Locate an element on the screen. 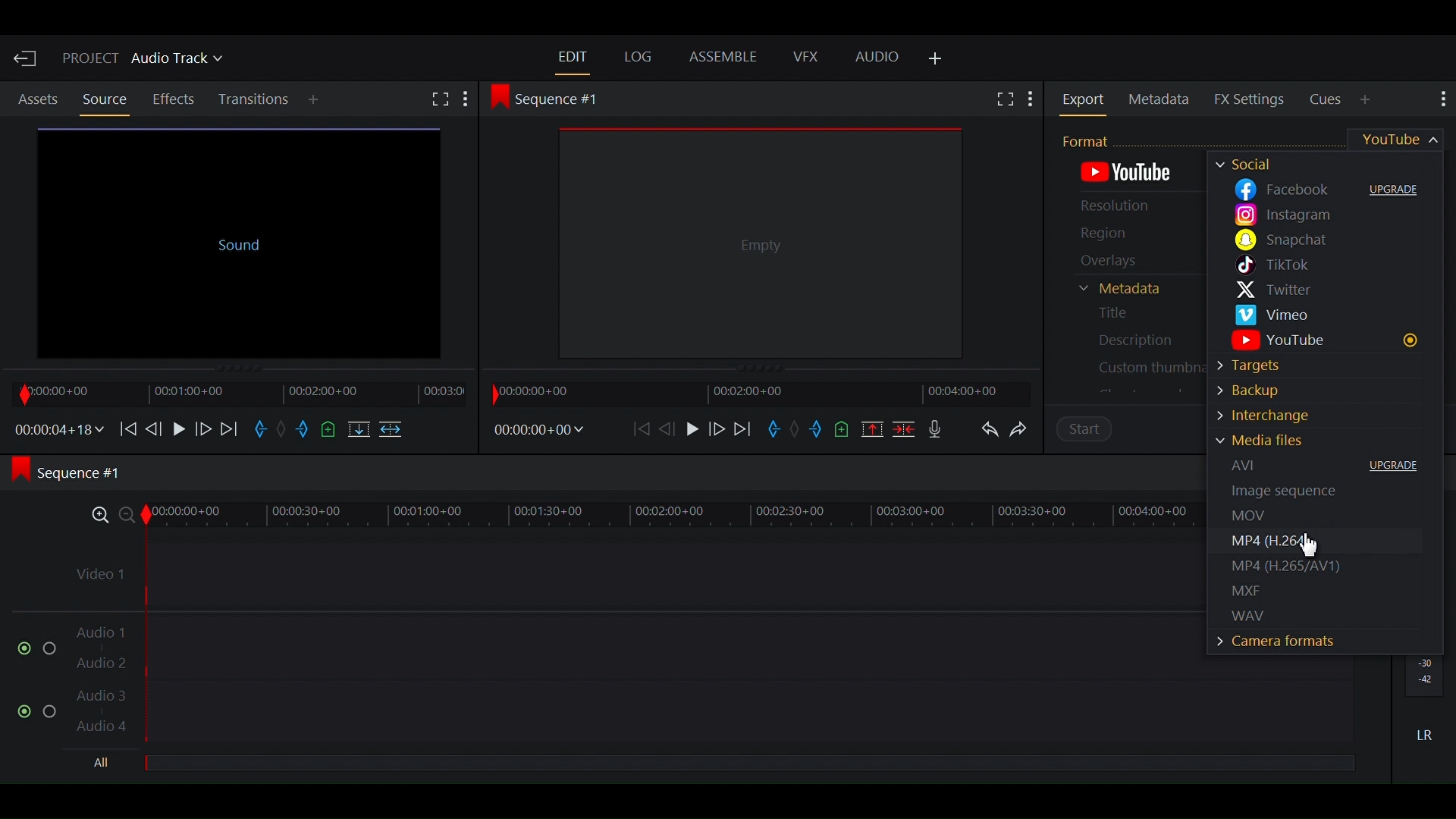 This screenshot has width=1456, height=819. Metadata is located at coordinates (1129, 290).